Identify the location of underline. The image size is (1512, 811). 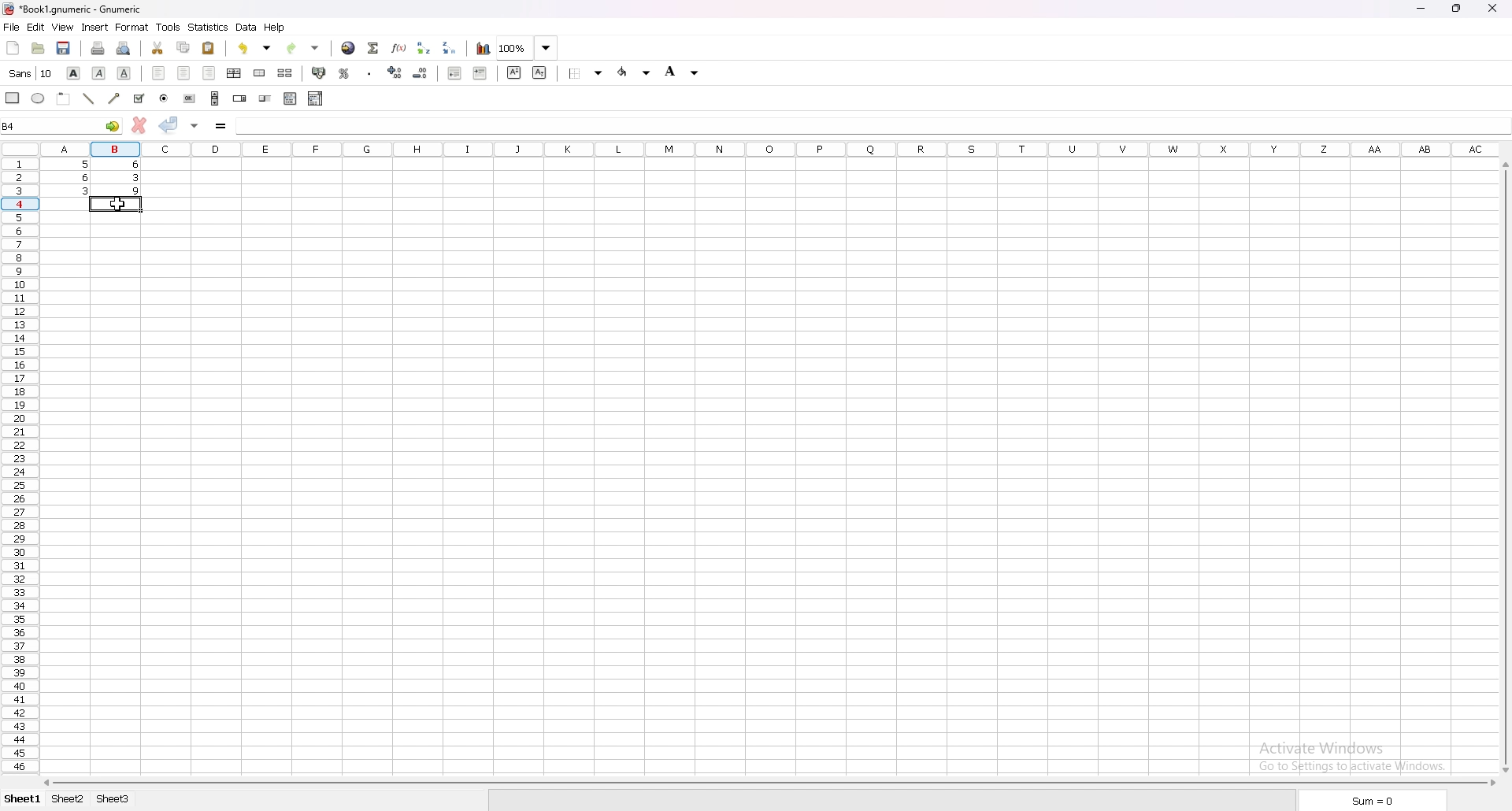
(125, 72).